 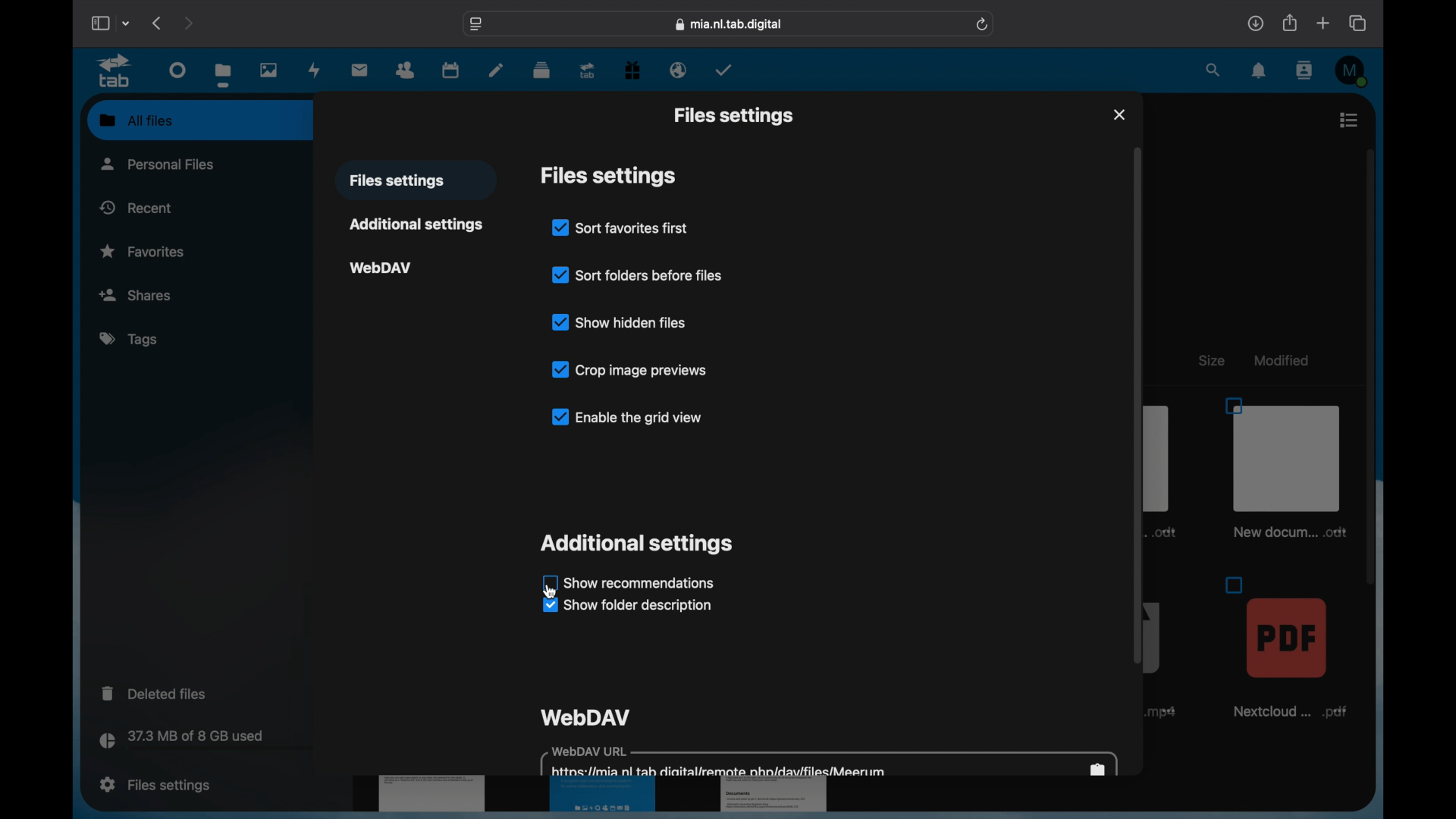 I want to click on document, so click(x=431, y=792).